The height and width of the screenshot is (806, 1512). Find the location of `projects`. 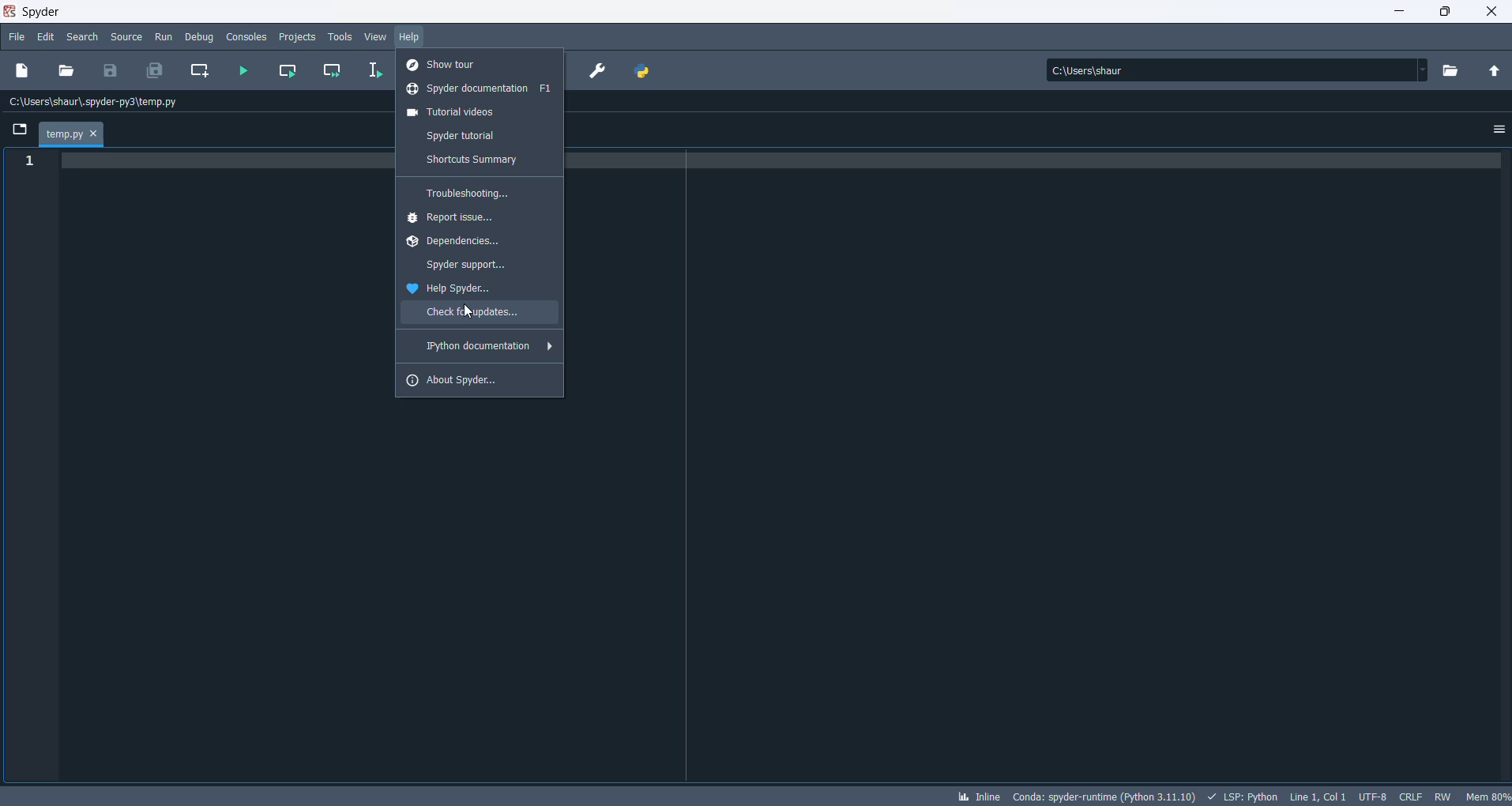

projects is located at coordinates (297, 37).